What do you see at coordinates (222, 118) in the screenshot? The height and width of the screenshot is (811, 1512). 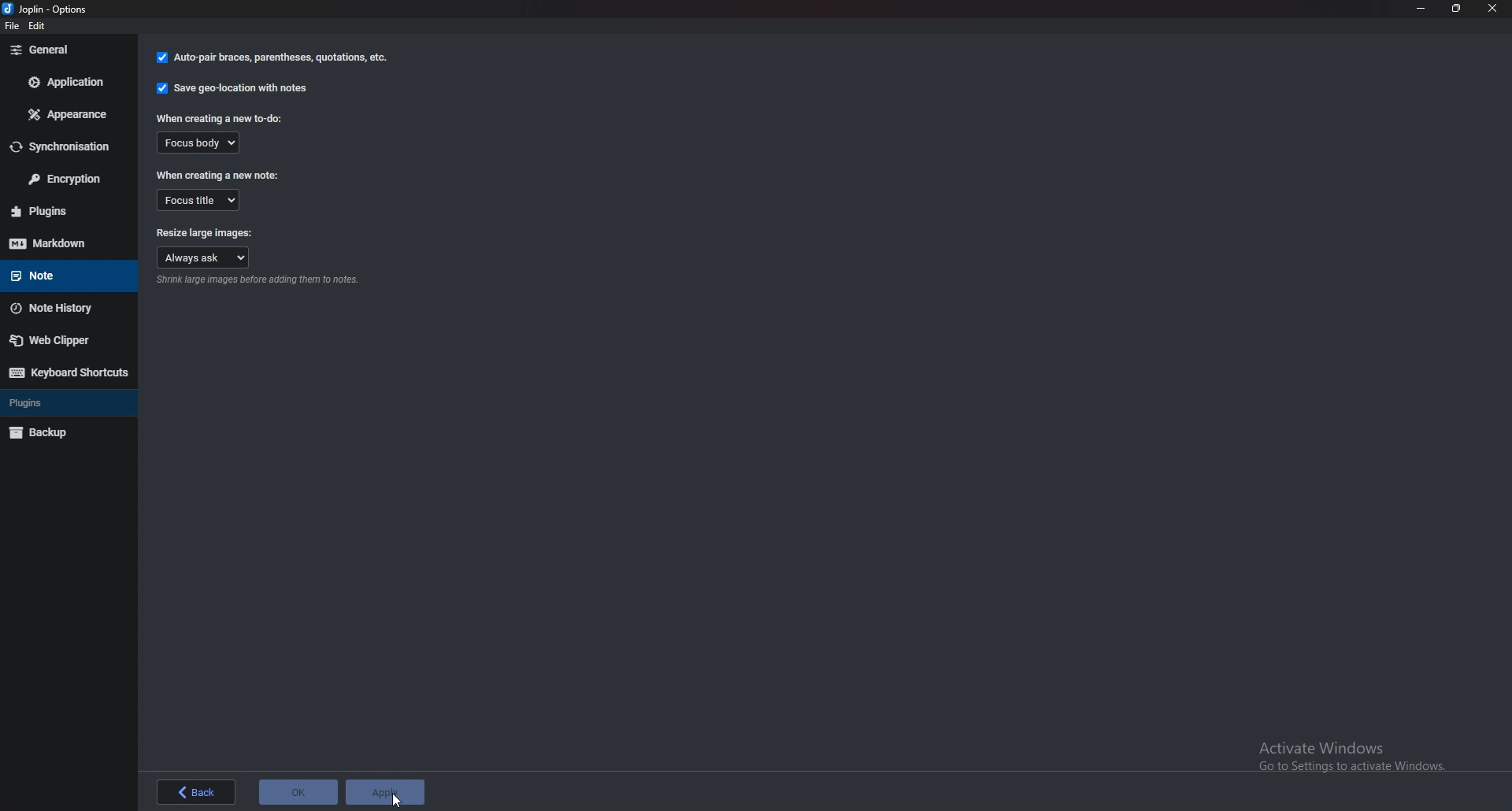 I see `When creating a new to do` at bounding box center [222, 118].